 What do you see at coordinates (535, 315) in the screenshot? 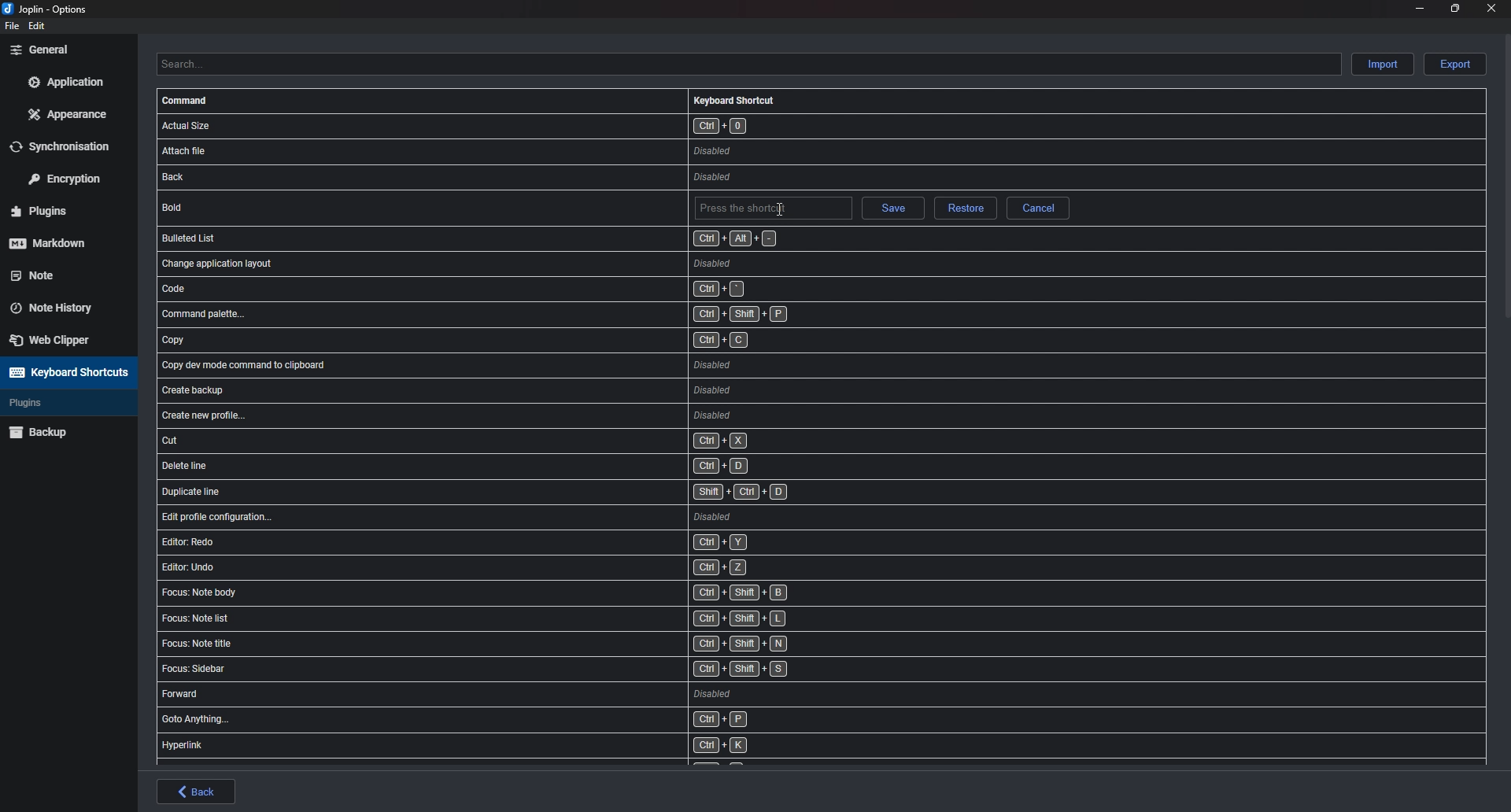
I see `shortcut` at bounding box center [535, 315].